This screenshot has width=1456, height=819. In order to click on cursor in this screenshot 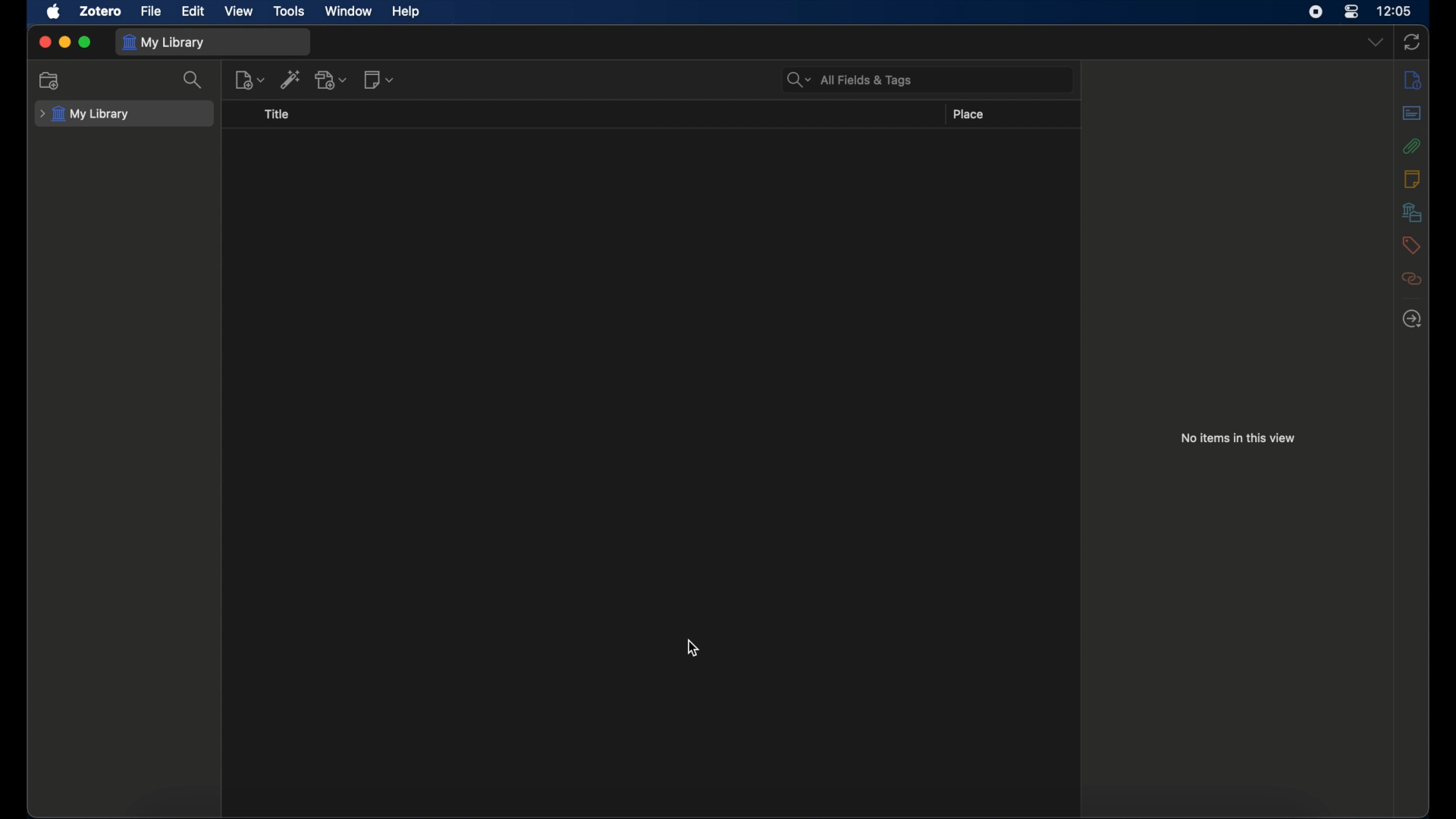, I will do `click(693, 648)`.